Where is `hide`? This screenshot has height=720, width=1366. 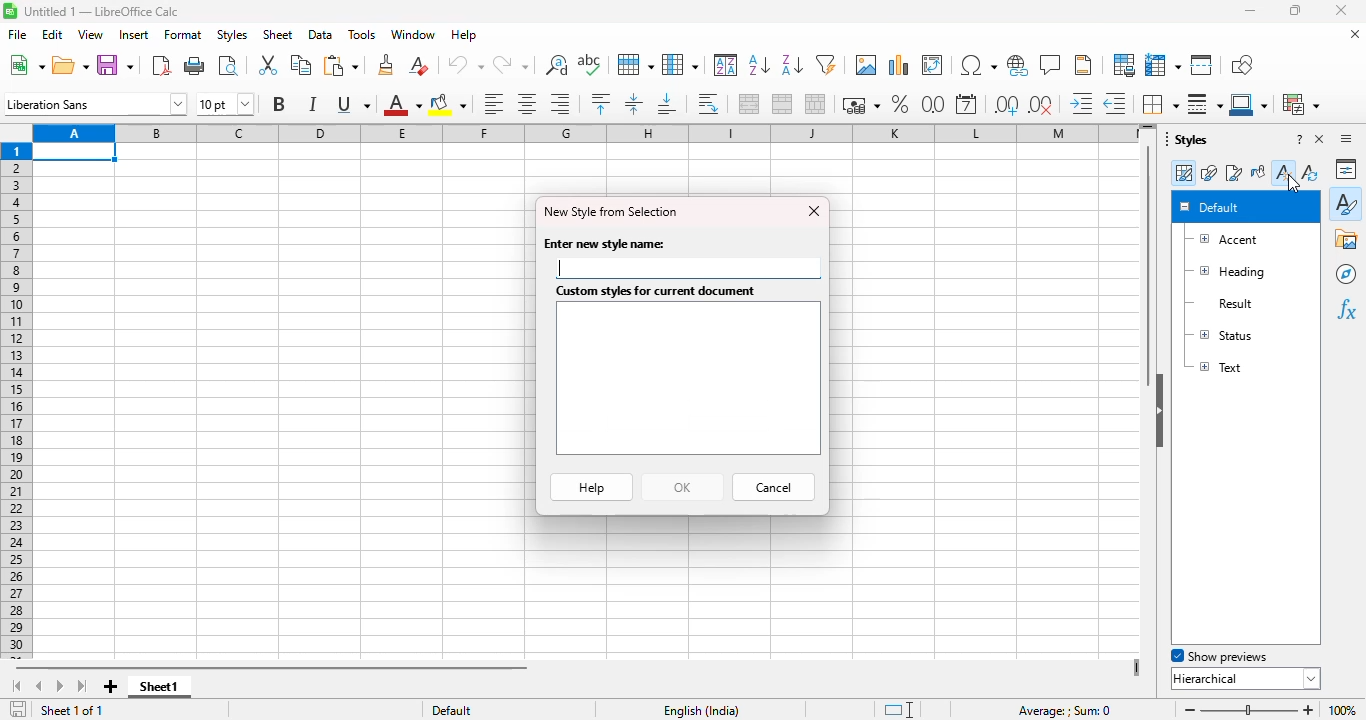
hide is located at coordinates (1159, 411).